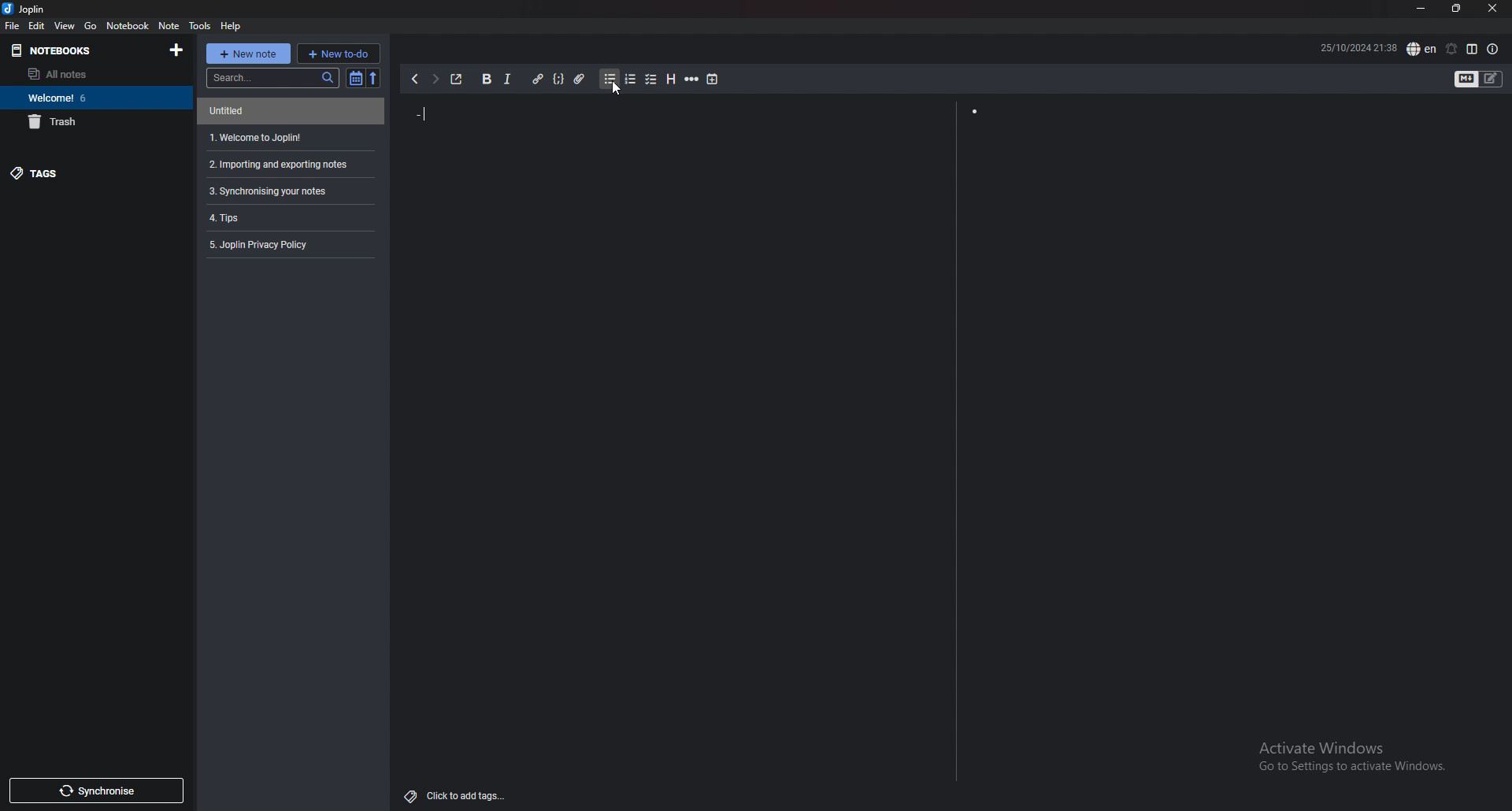 The image size is (1512, 811). I want to click on set alarm, so click(1447, 49).